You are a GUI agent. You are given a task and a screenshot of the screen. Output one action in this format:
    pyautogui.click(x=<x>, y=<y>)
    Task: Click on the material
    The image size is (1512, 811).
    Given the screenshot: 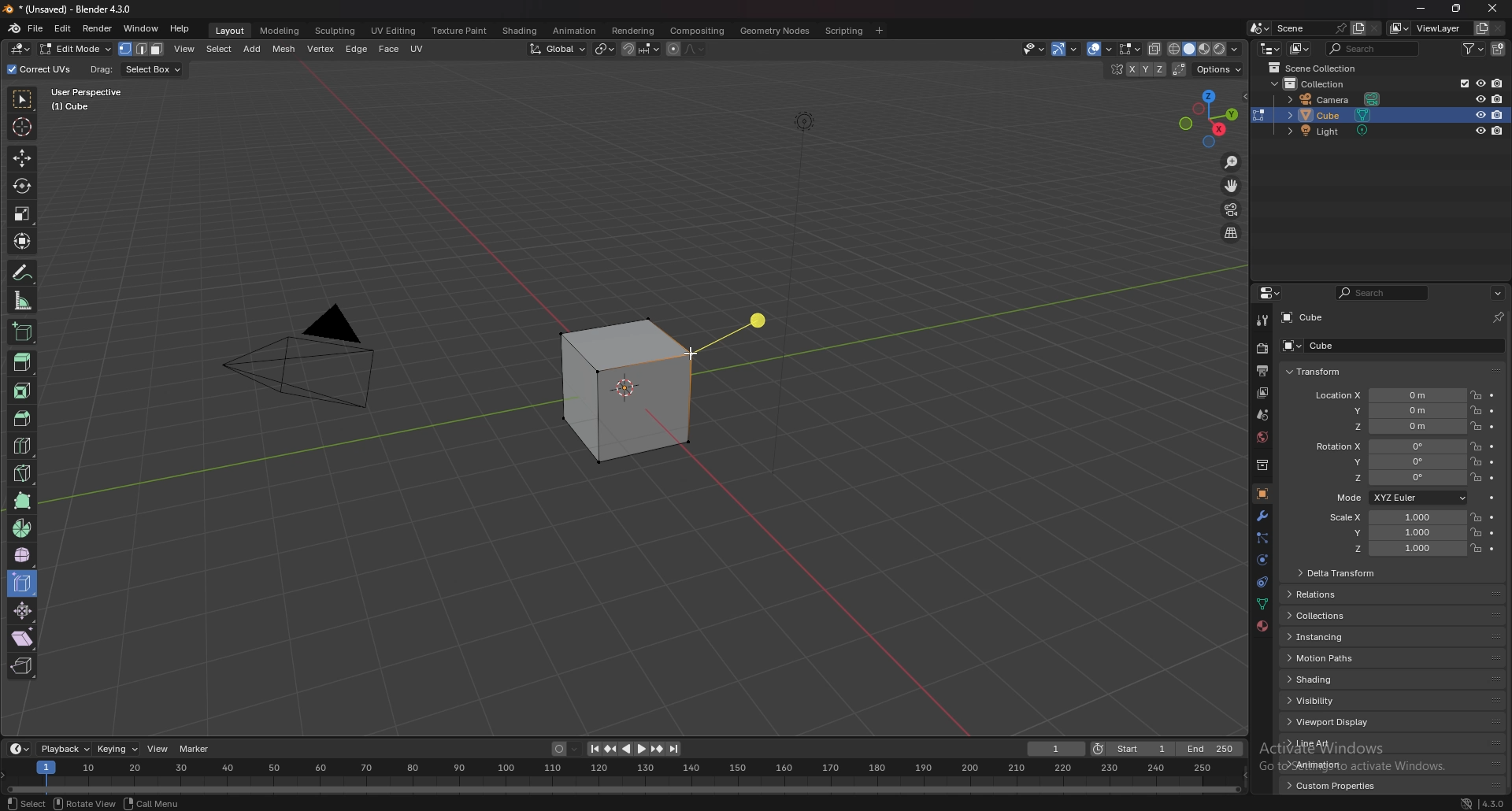 What is the action you would take?
    pyautogui.click(x=1264, y=624)
    